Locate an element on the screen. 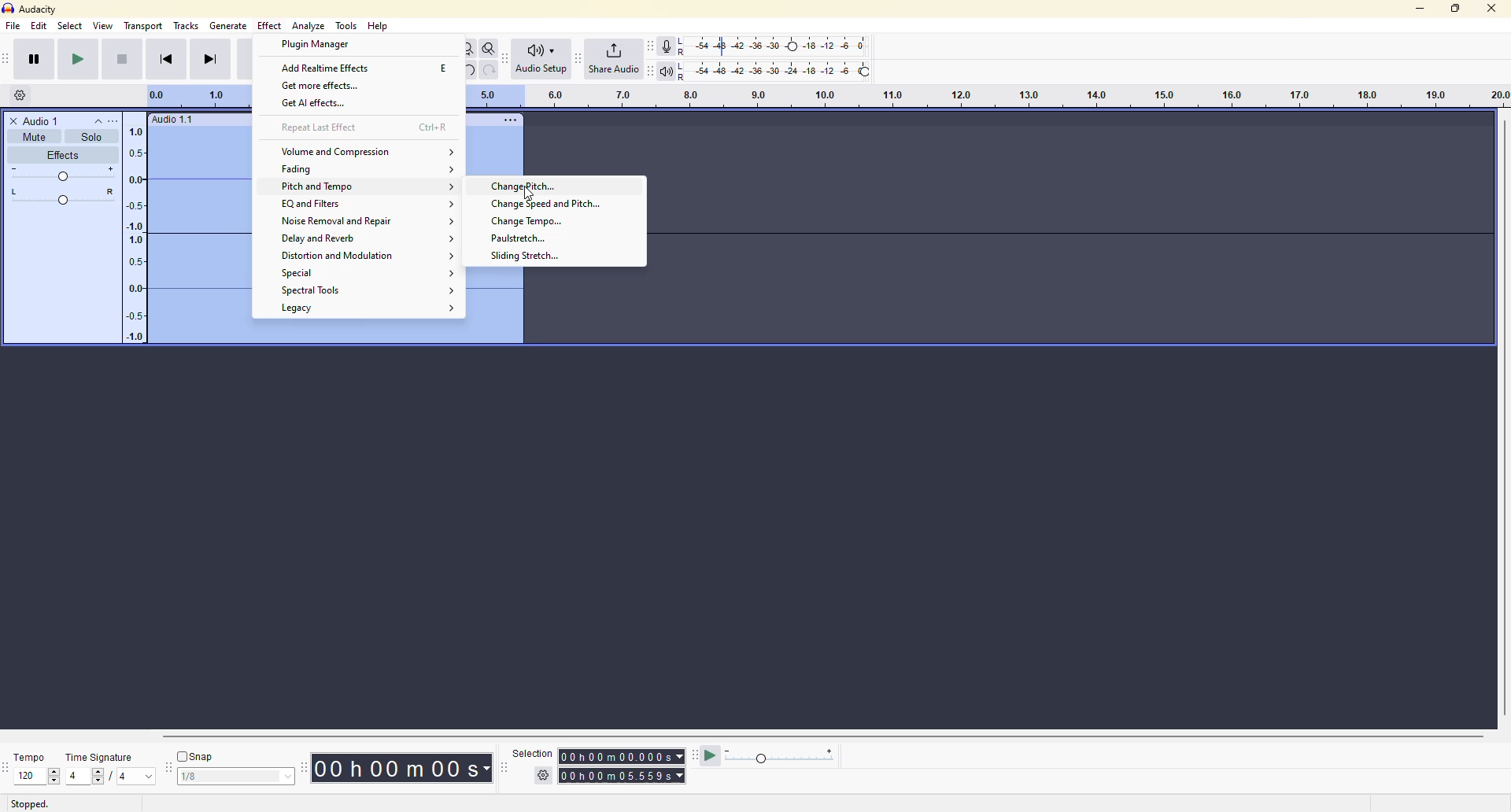 The width and height of the screenshot is (1511, 812). time signature is located at coordinates (101, 757).